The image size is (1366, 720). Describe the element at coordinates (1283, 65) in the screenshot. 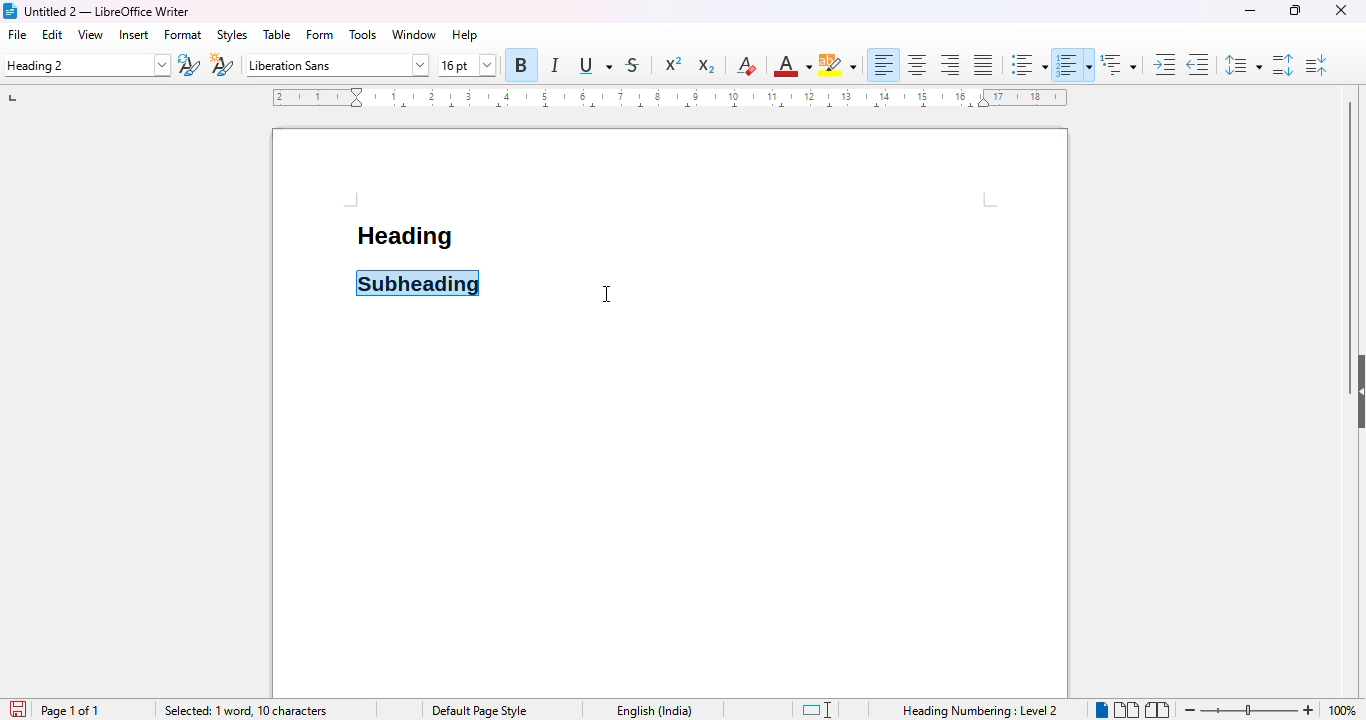

I see `increase paragraph spacing` at that location.